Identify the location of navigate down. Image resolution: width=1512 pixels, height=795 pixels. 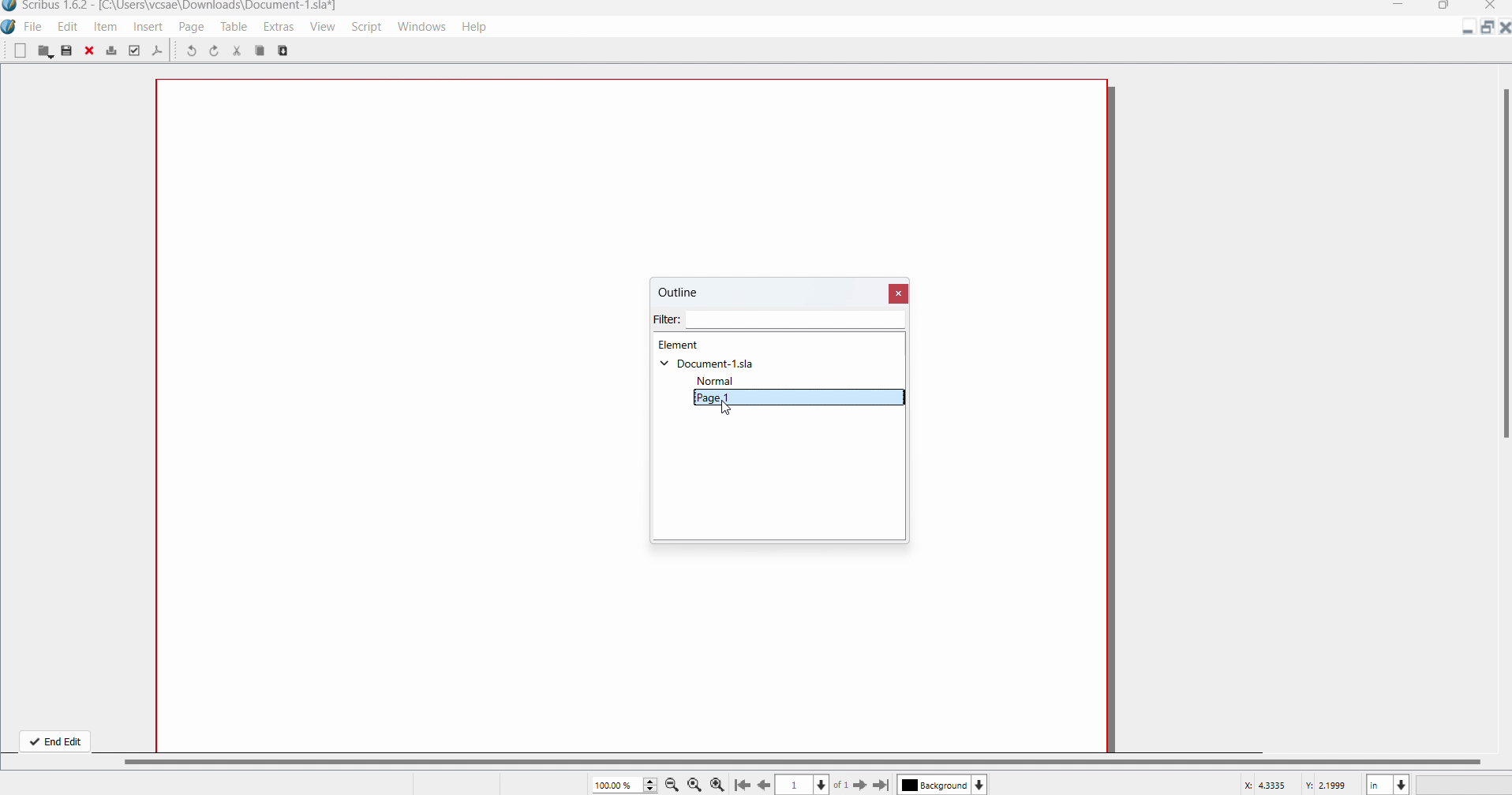
(823, 782).